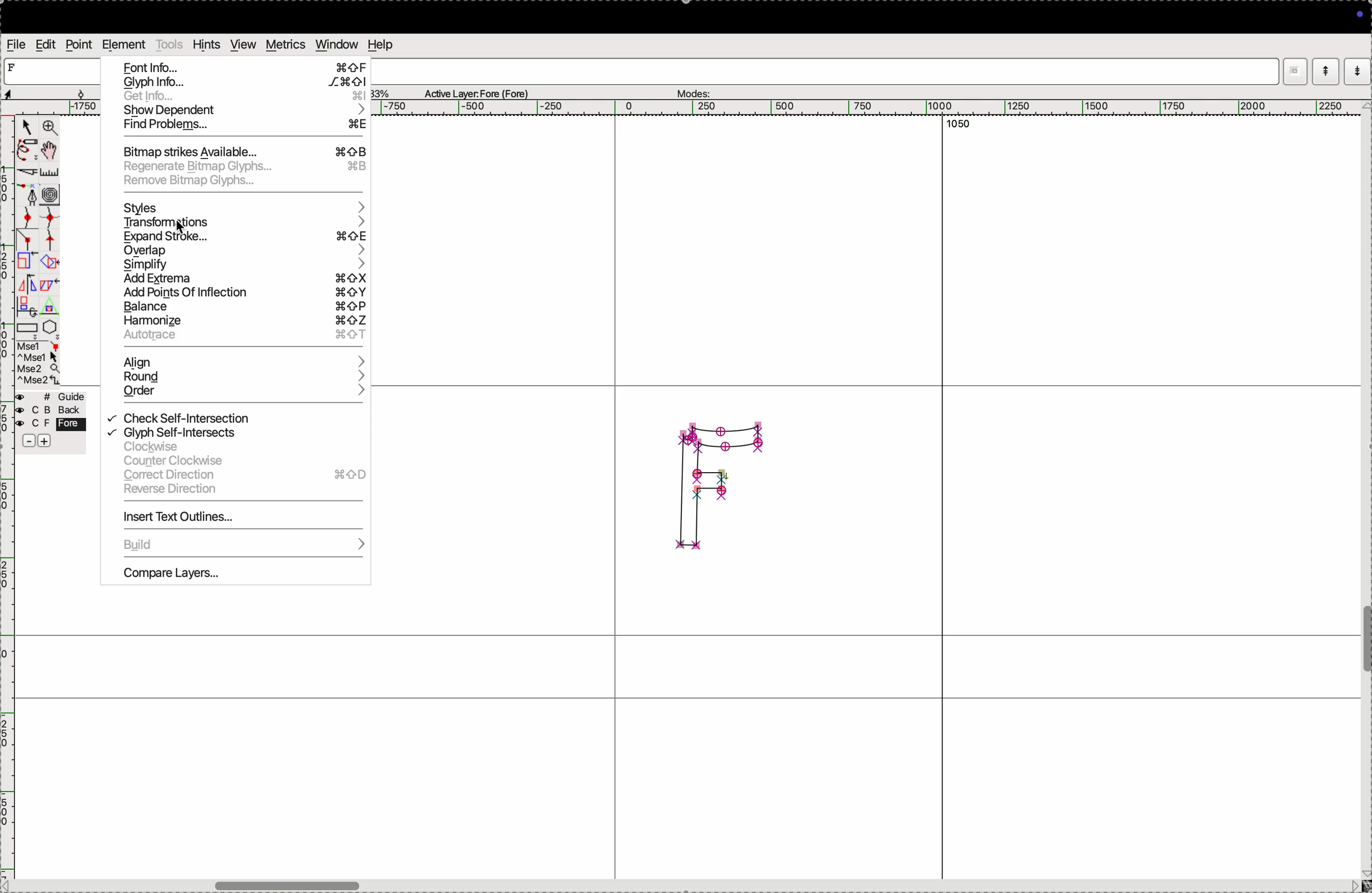 The width and height of the screenshot is (1372, 893). Describe the element at coordinates (50, 327) in the screenshot. I see `pentagon` at that location.